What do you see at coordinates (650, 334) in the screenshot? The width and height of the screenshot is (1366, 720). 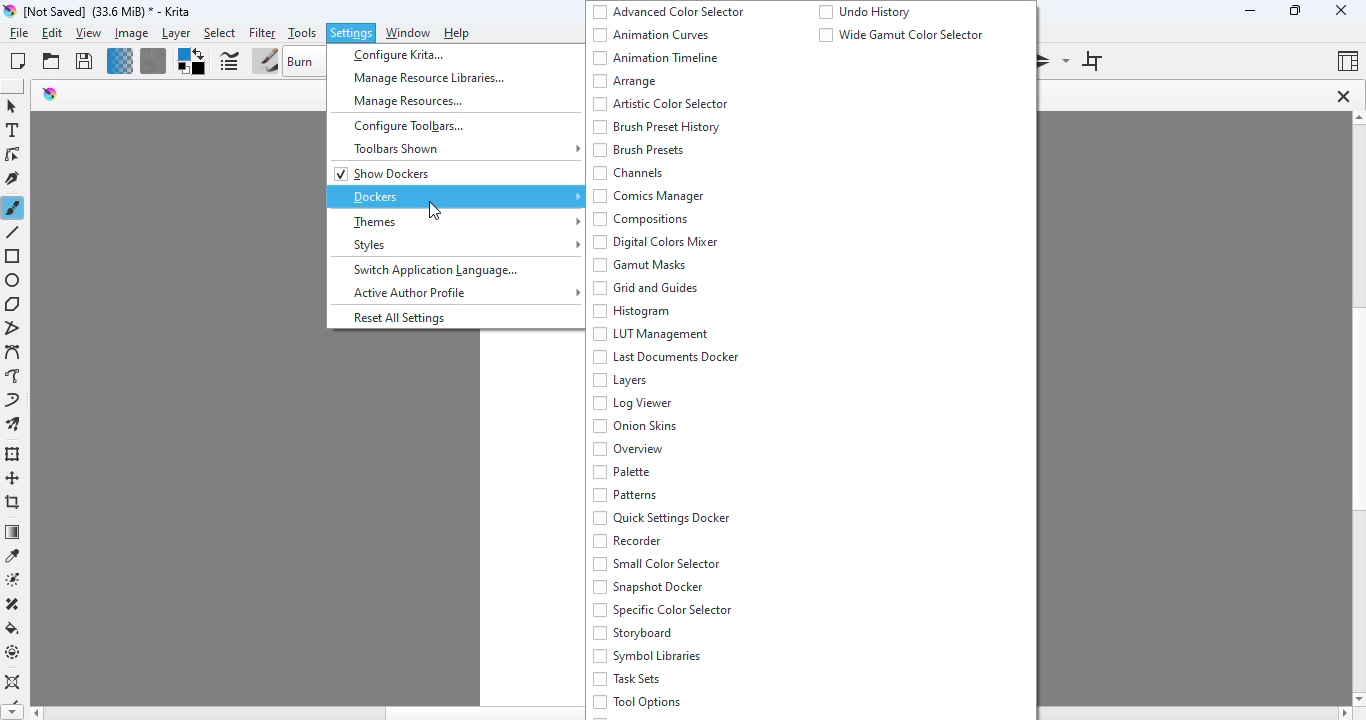 I see `LUT Management` at bounding box center [650, 334].